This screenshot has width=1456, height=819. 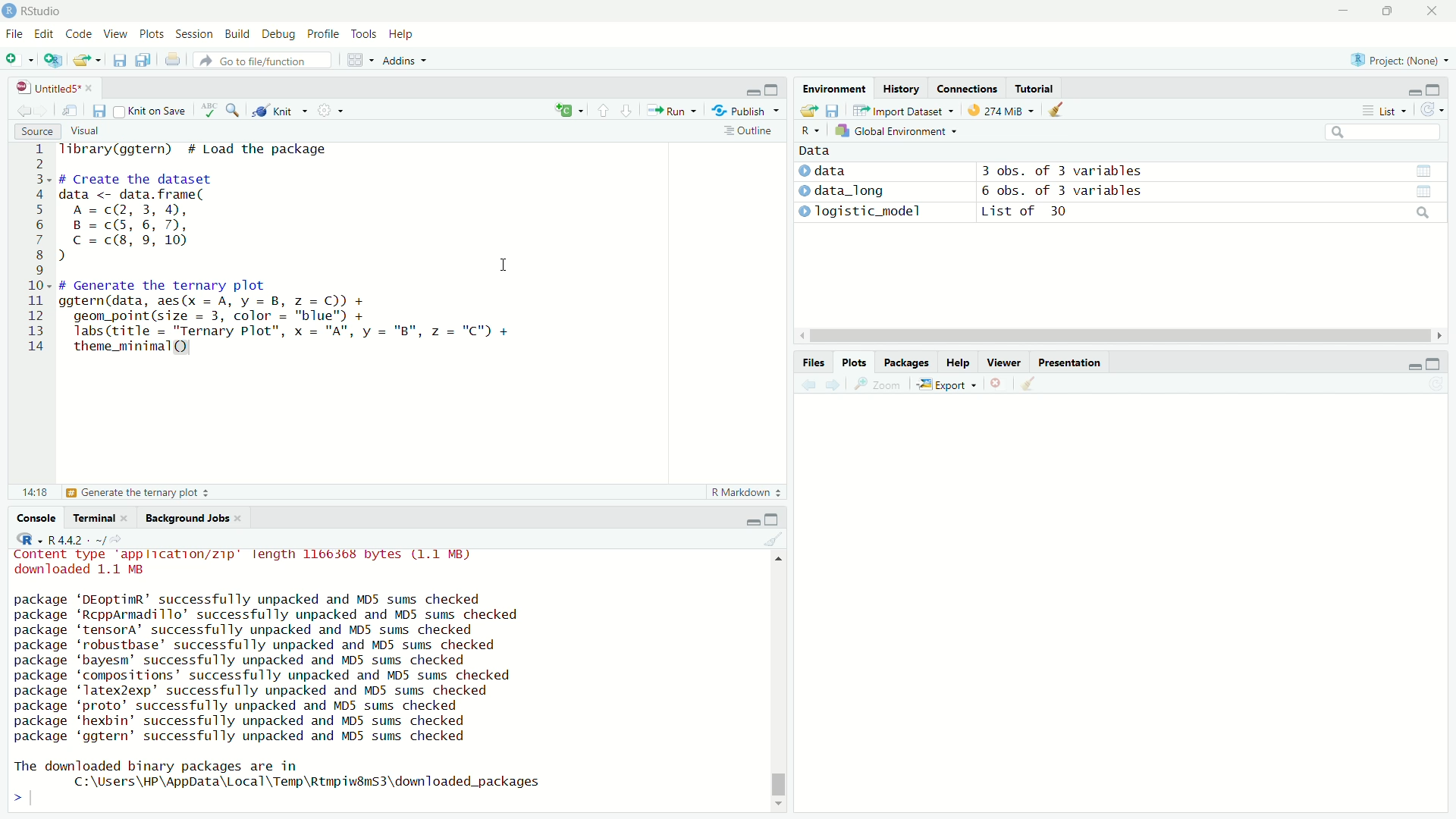 I want to click on back, so click(x=809, y=385).